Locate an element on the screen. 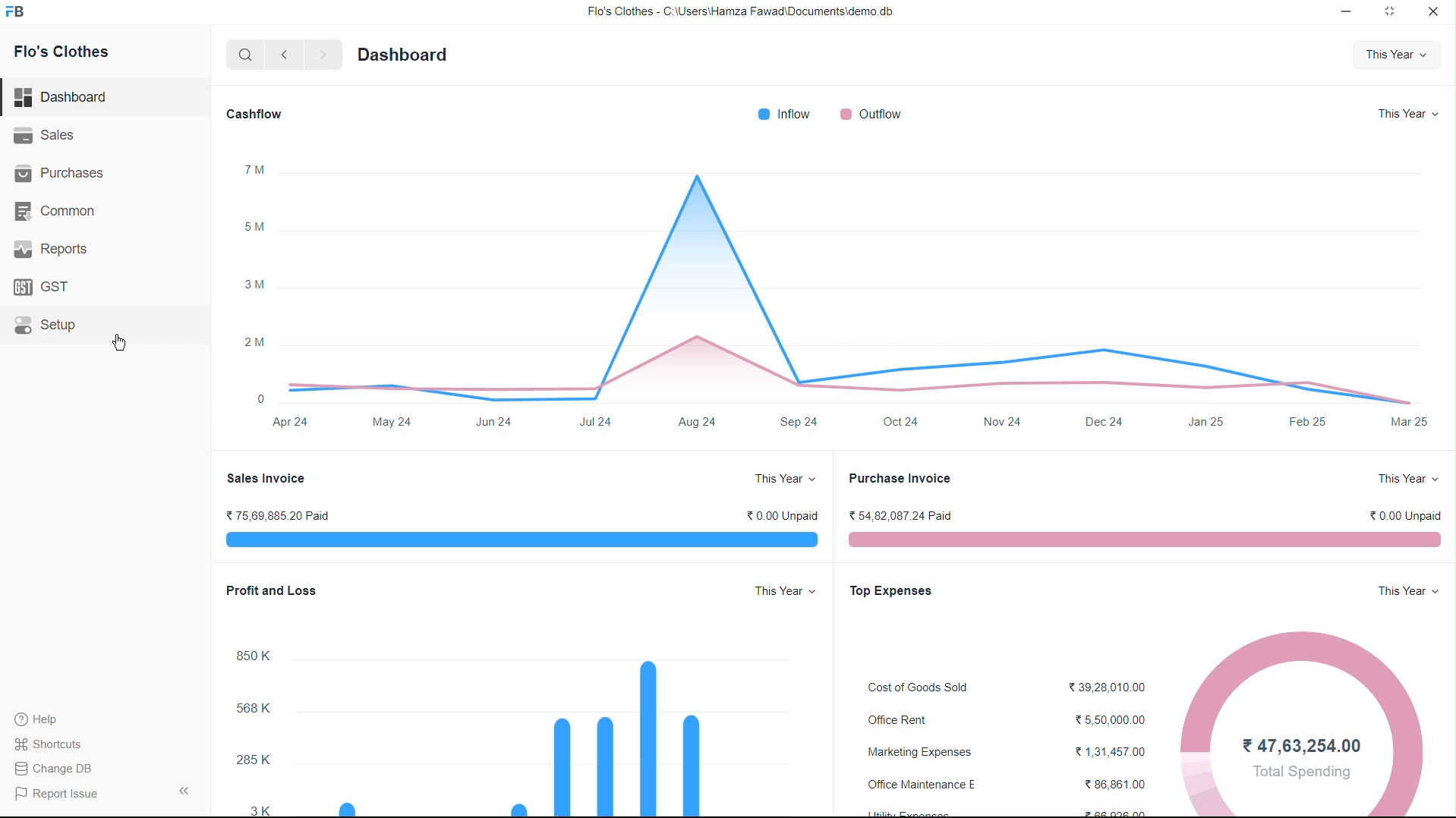 Image resolution: width=1456 pixels, height=818 pixels. Report Issue is located at coordinates (61, 794).